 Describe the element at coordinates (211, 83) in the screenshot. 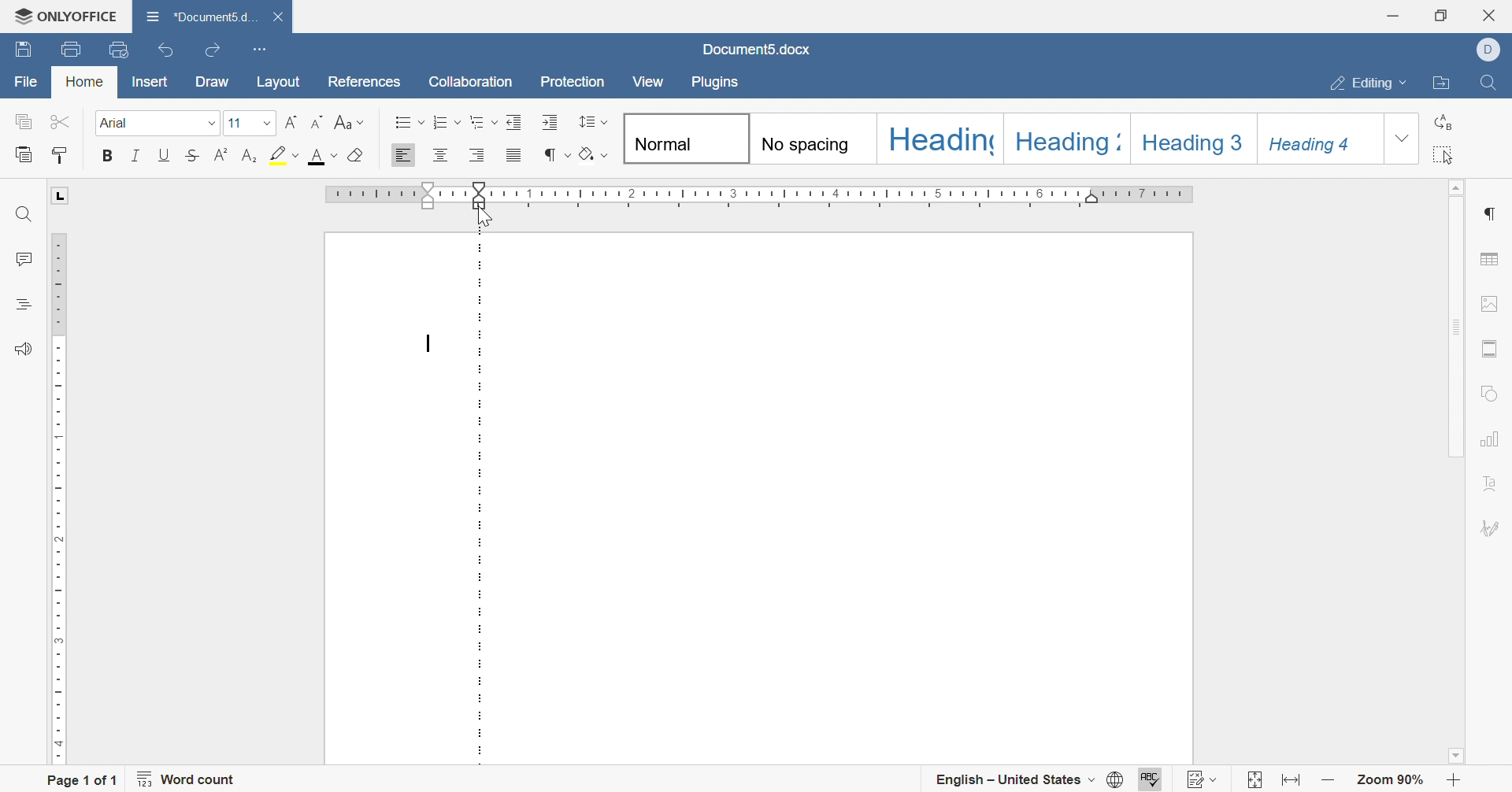

I see `draw` at that location.